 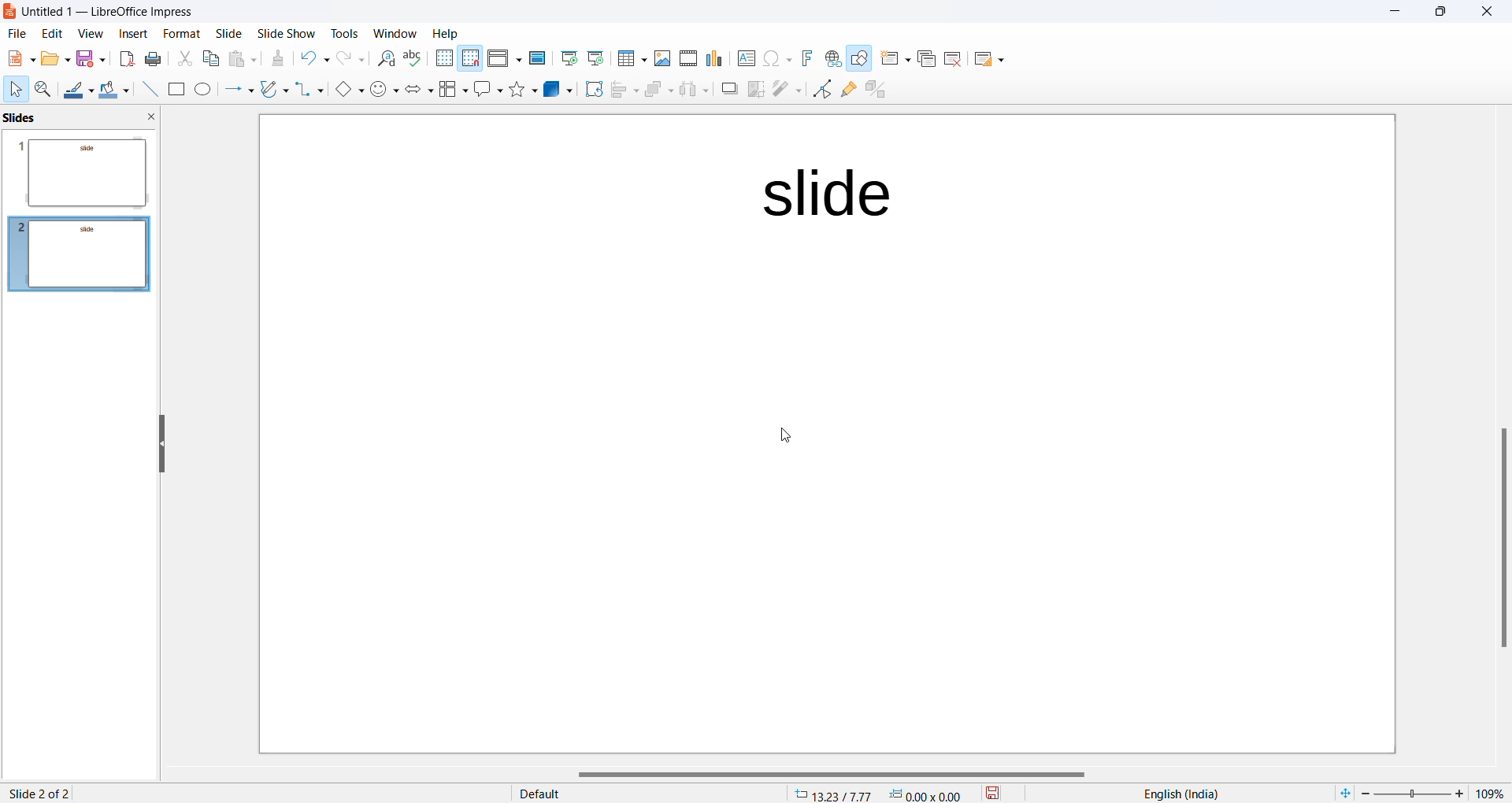 What do you see at coordinates (956, 58) in the screenshot?
I see `Delete slide` at bounding box center [956, 58].